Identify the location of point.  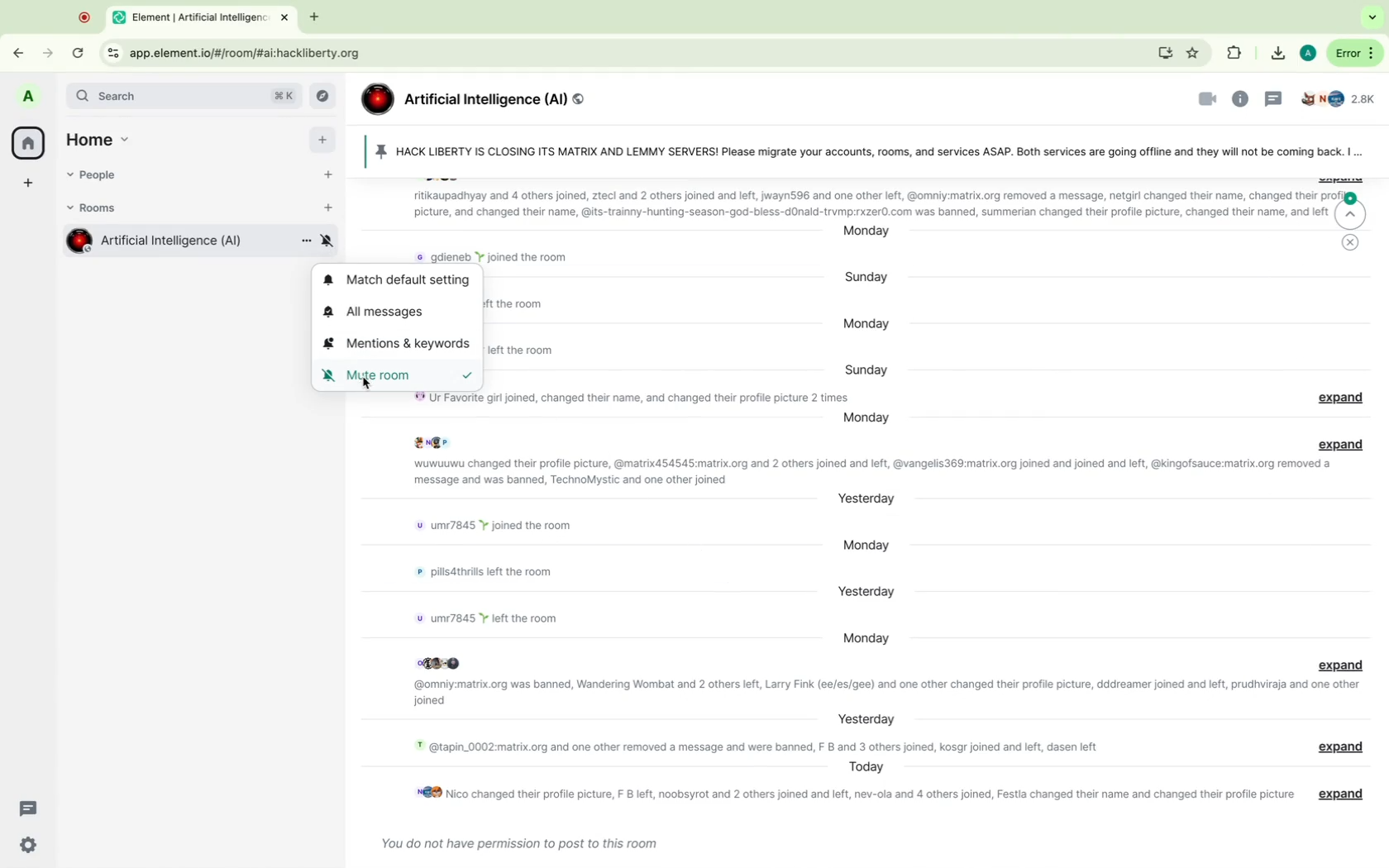
(84, 16).